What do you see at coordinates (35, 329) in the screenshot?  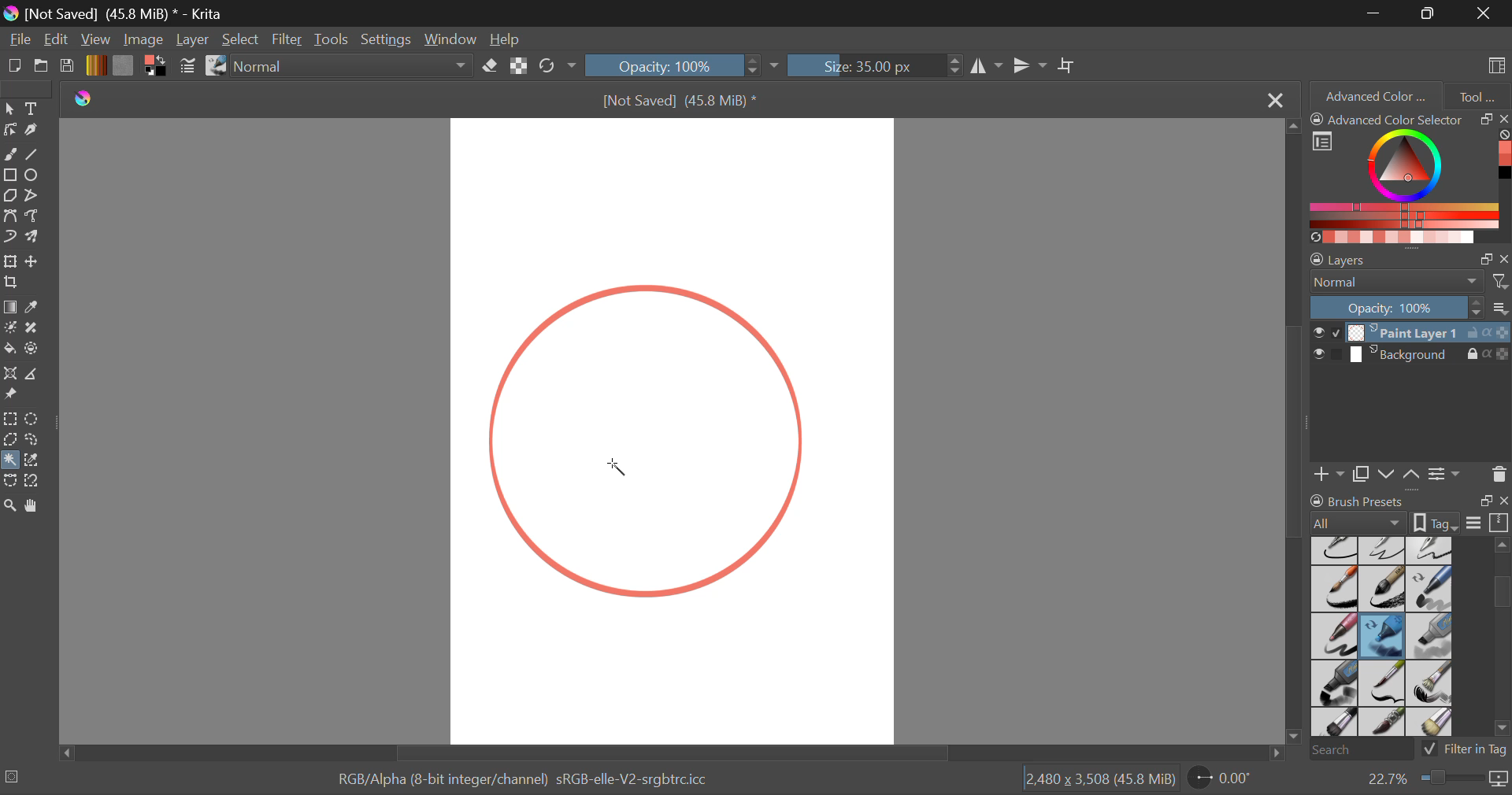 I see `Smart Patch Tool` at bounding box center [35, 329].